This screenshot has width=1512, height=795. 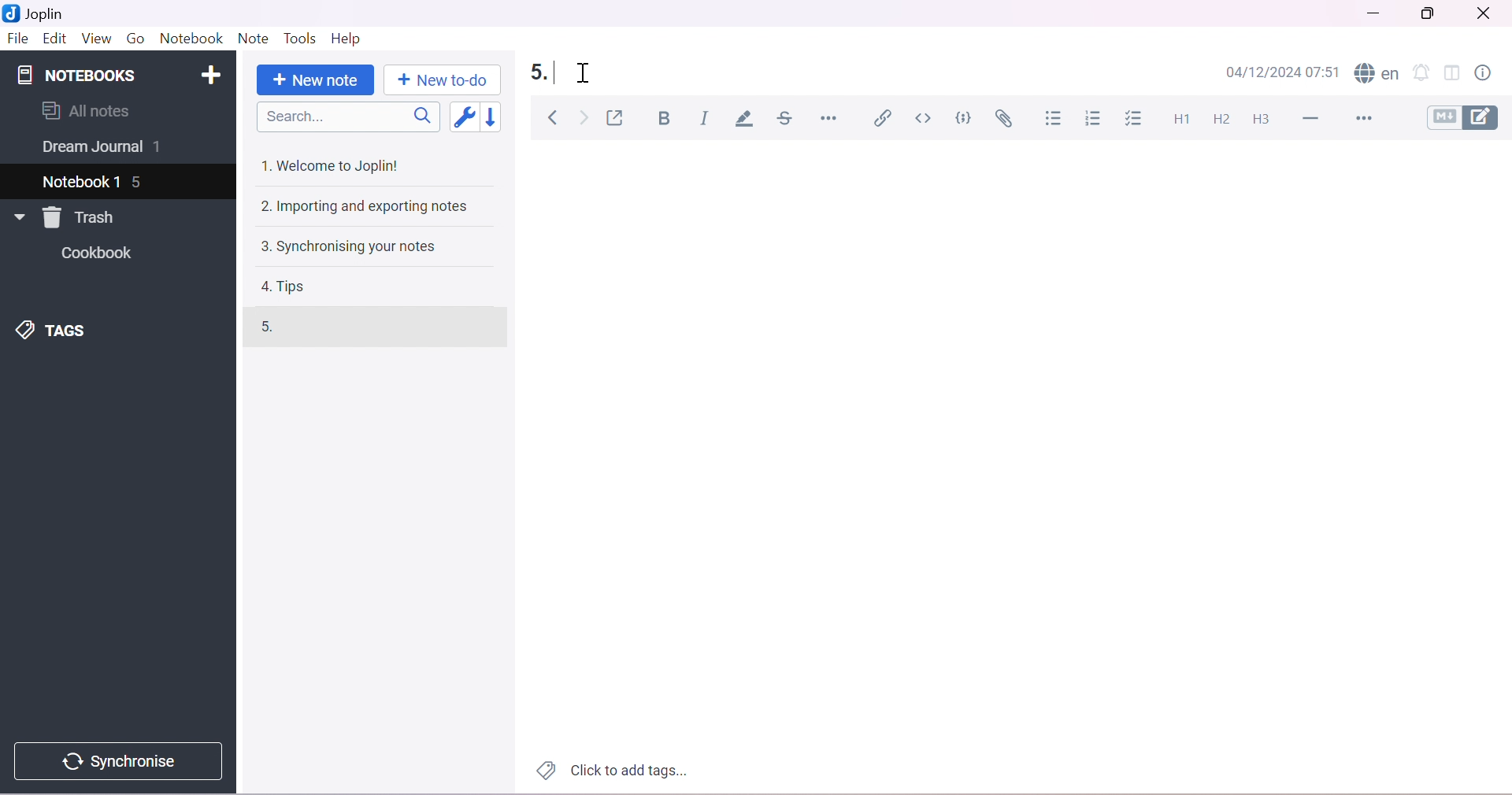 I want to click on Numbered list, so click(x=1094, y=120).